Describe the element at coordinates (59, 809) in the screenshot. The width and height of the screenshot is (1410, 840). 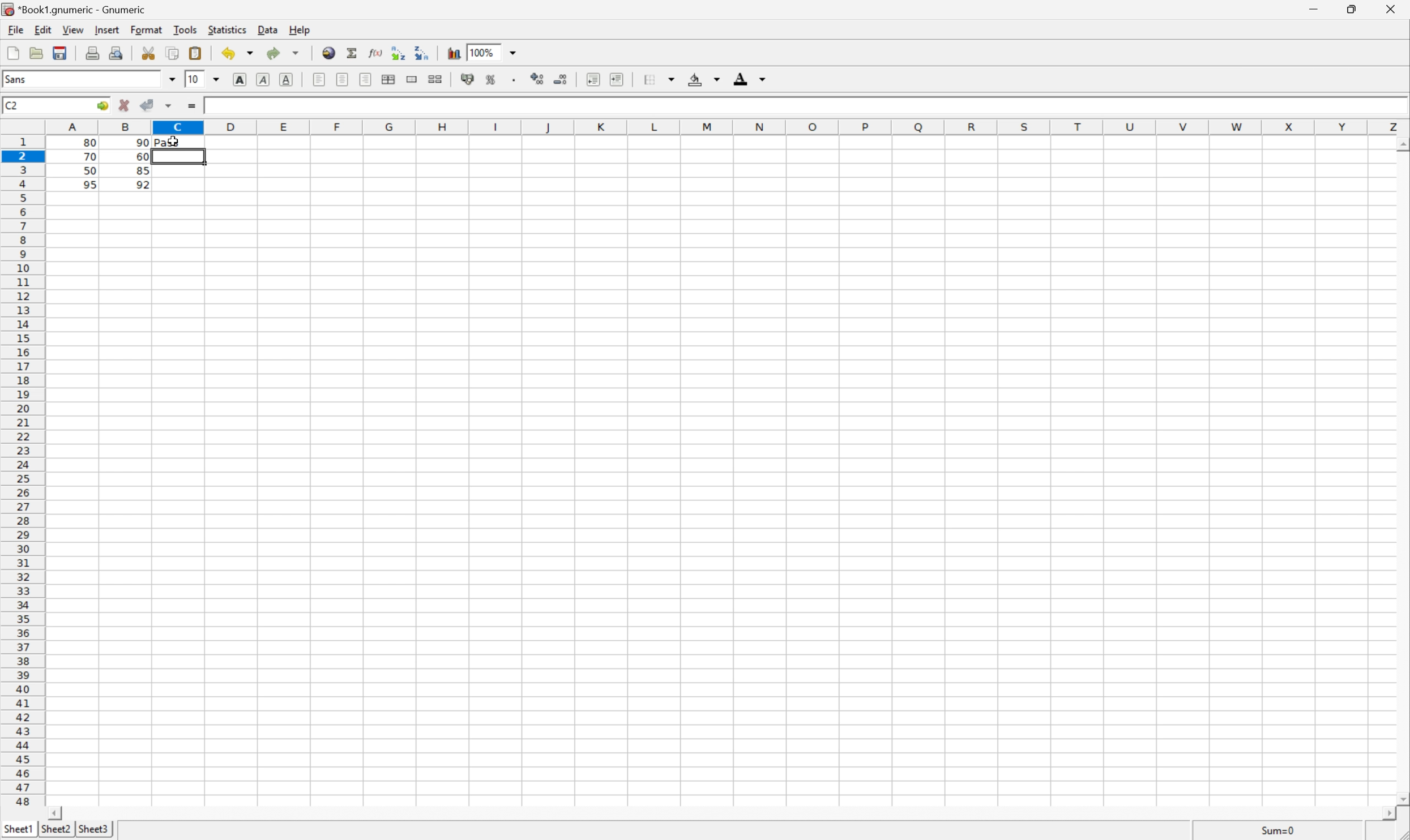
I see `Scroll Left` at that location.